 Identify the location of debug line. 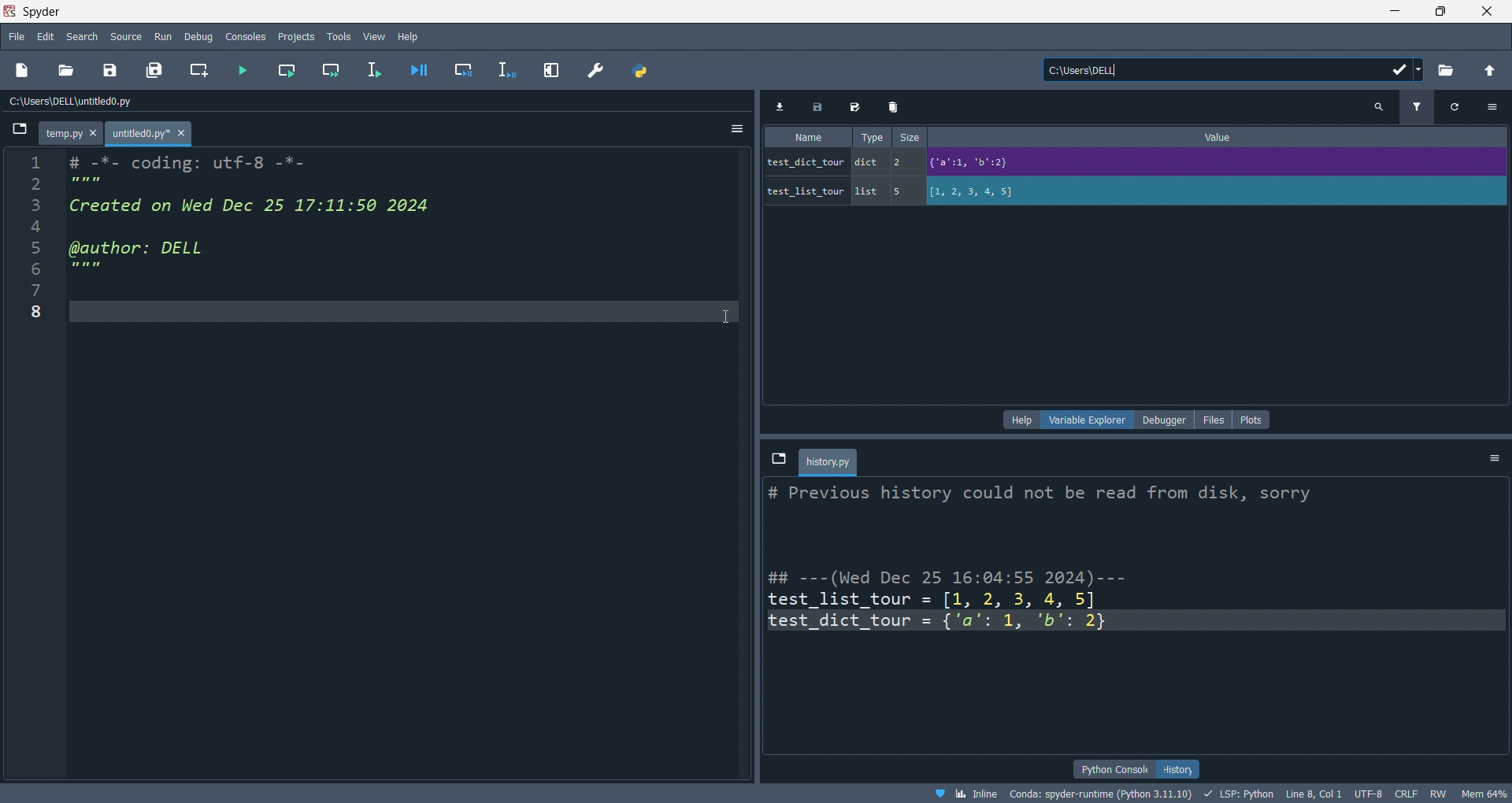
(509, 70).